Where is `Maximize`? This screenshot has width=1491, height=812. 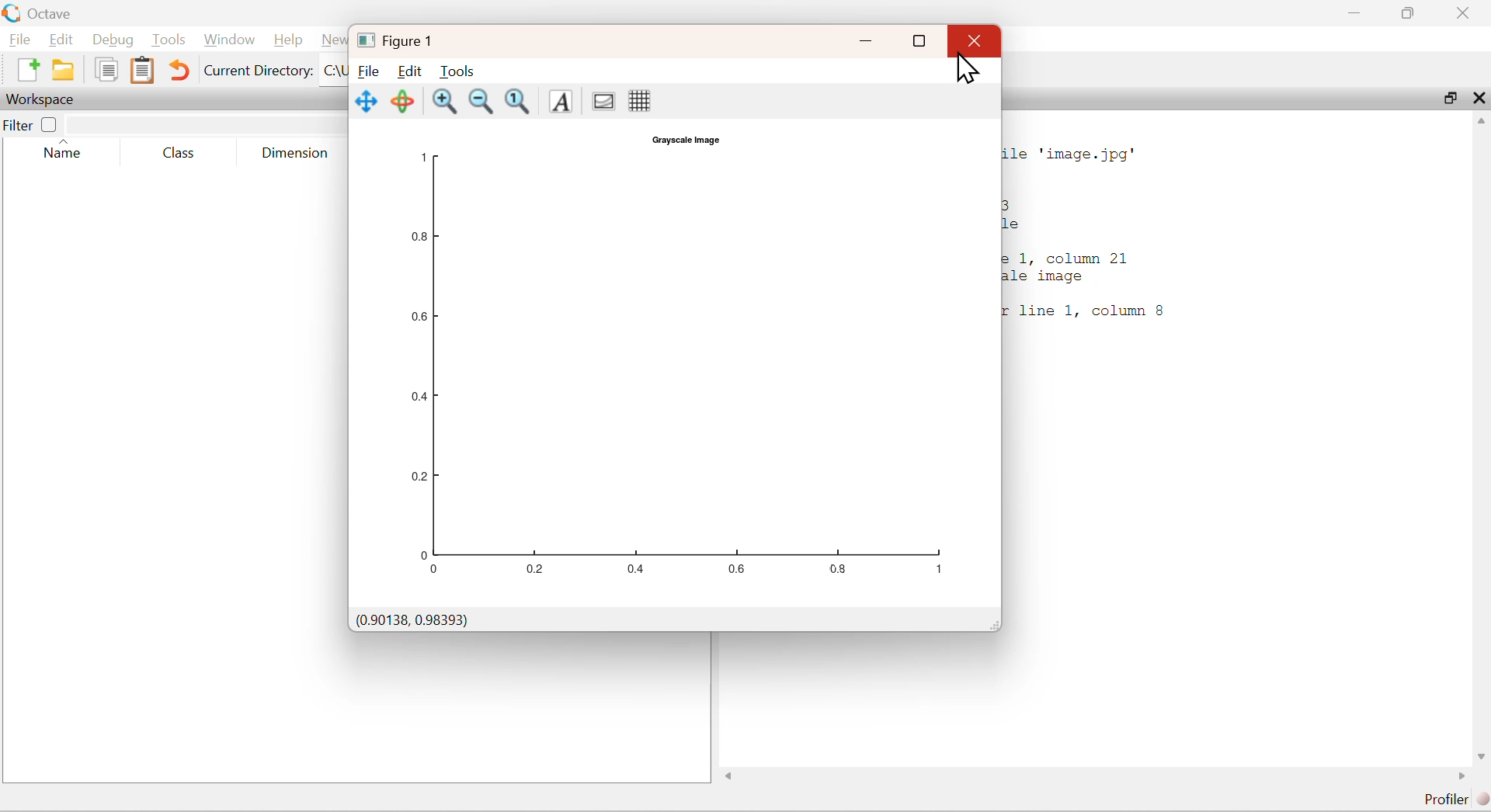
Maximize is located at coordinates (1449, 100).